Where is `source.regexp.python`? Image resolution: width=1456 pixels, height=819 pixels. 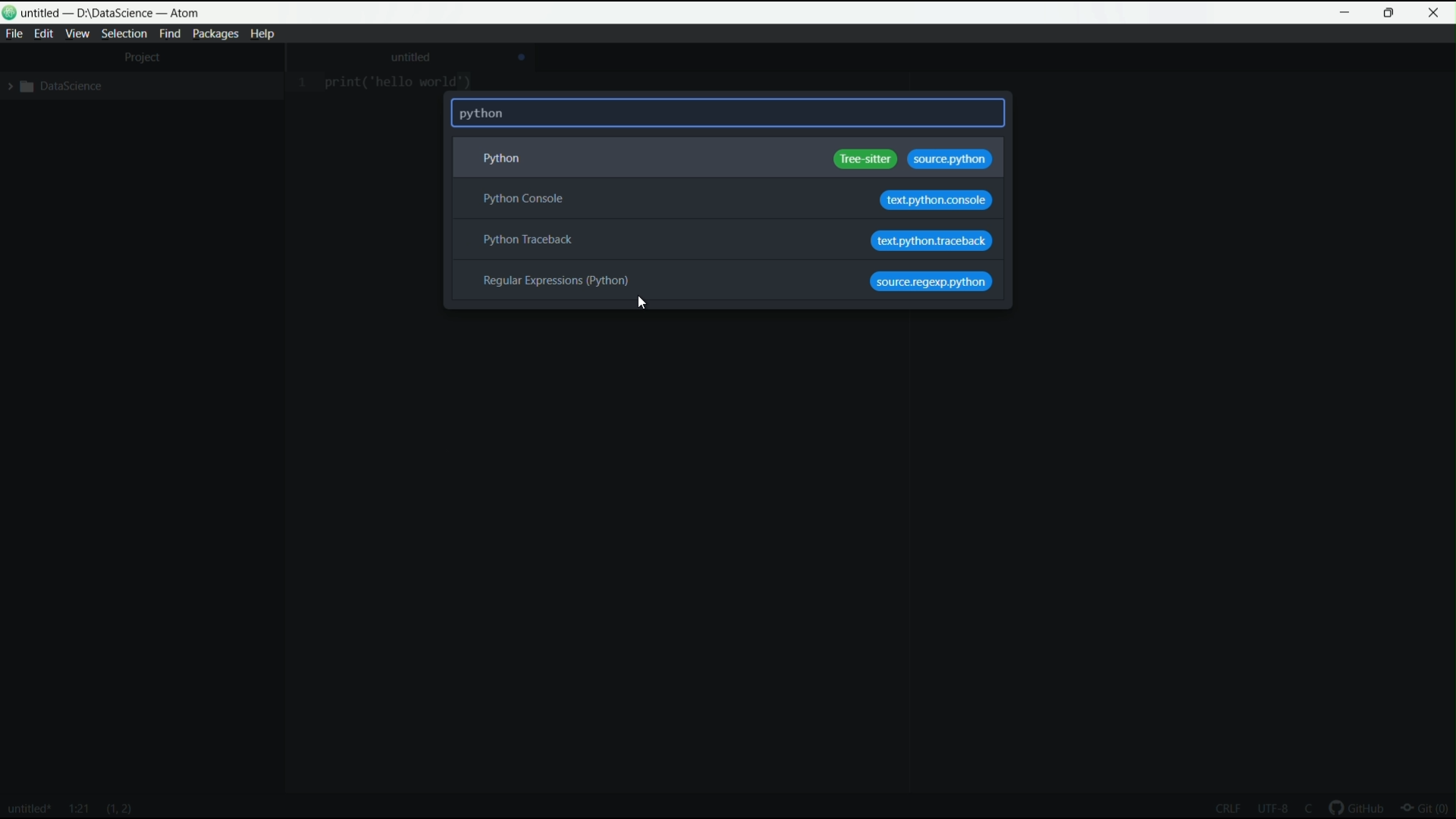 source.regexp.python is located at coordinates (931, 282).